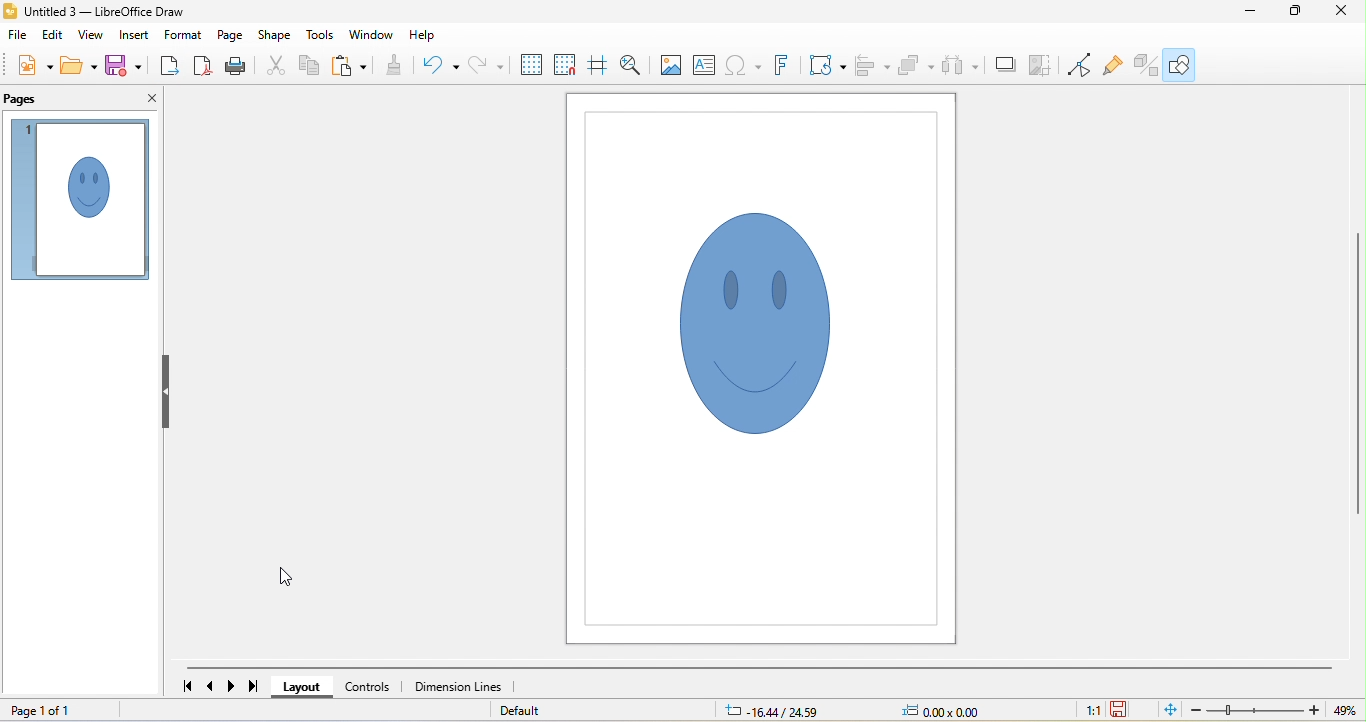 This screenshot has width=1366, height=722. Describe the element at coordinates (370, 687) in the screenshot. I see `controls` at that location.